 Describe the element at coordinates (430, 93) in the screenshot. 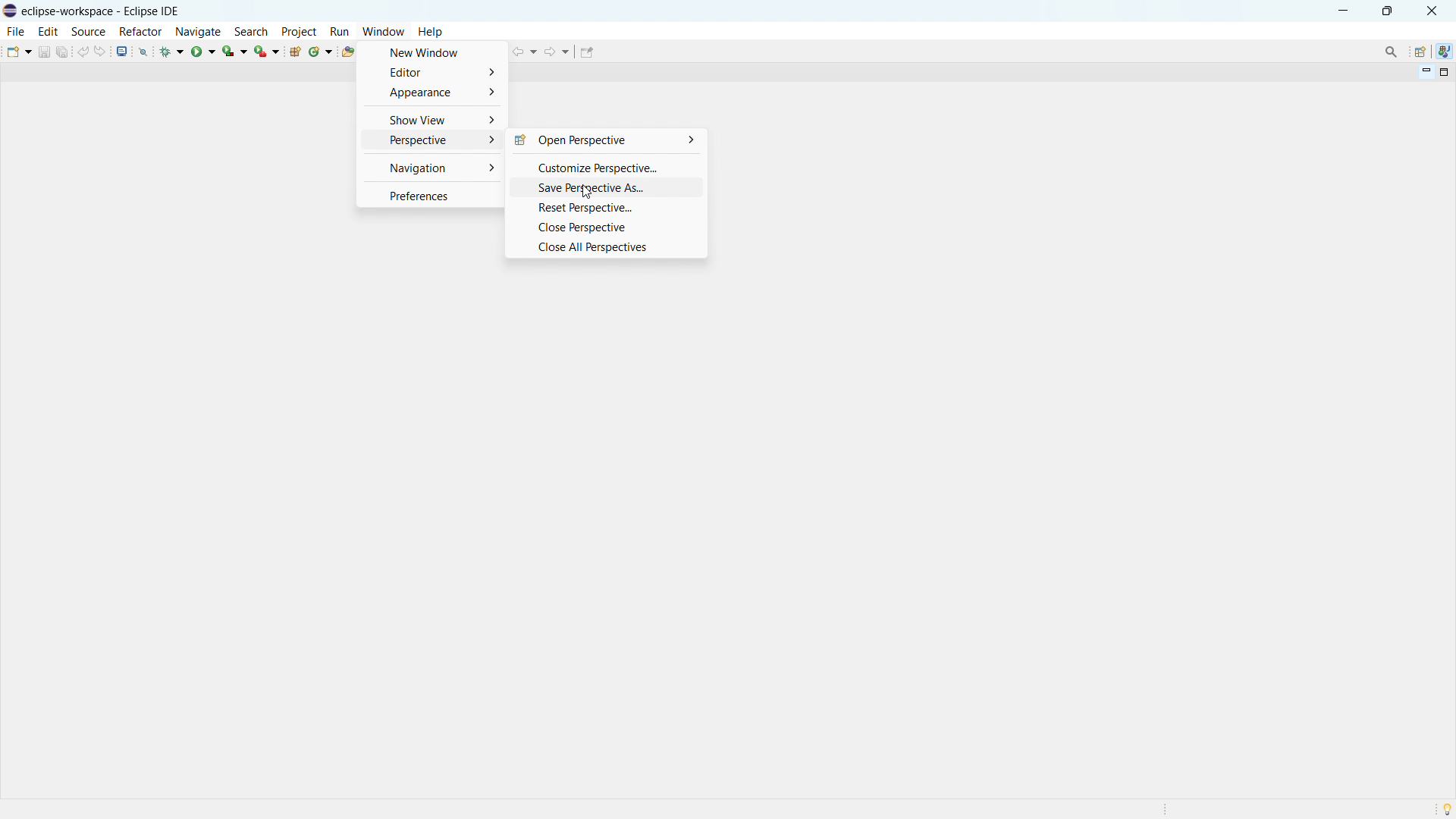

I see `appearance` at that location.